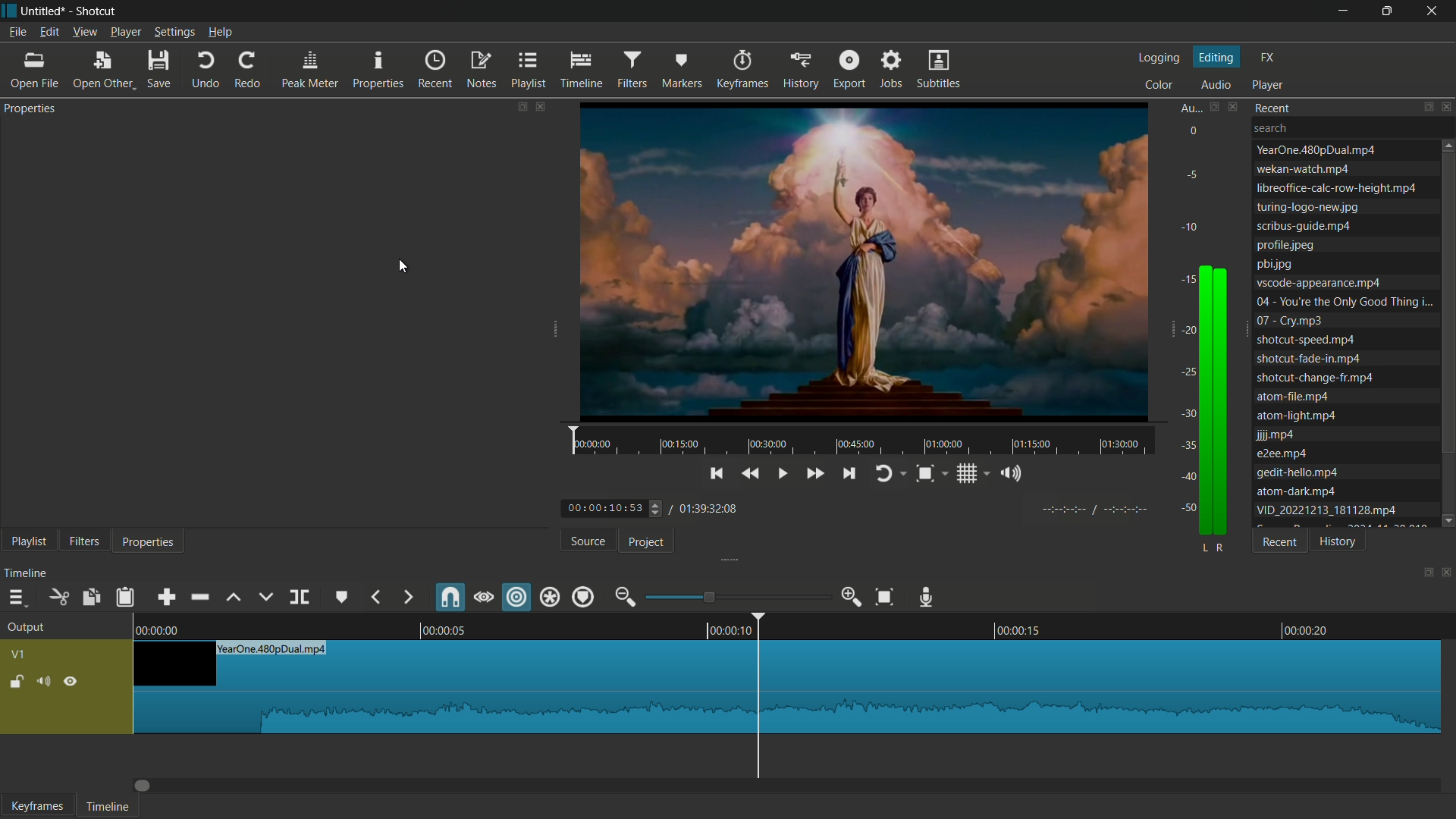 The width and height of the screenshot is (1456, 819). I want to click on ripple, so click(517, 598).